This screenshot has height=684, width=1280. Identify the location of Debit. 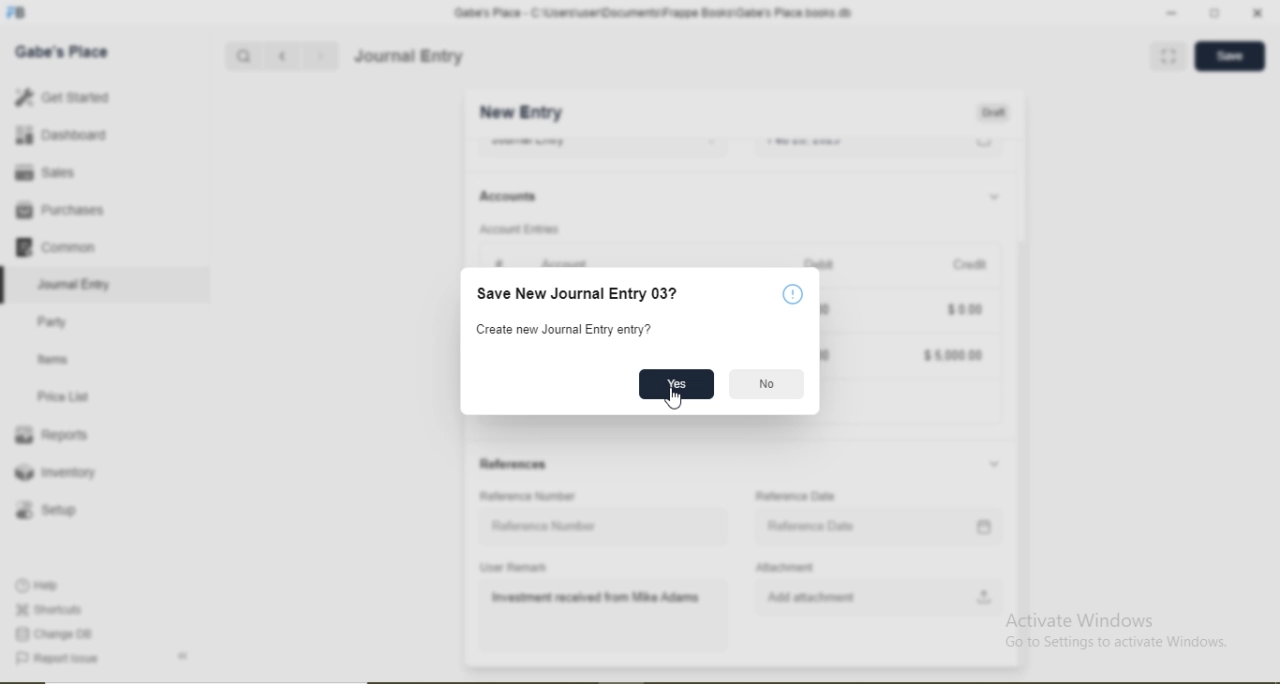
(822, 261).